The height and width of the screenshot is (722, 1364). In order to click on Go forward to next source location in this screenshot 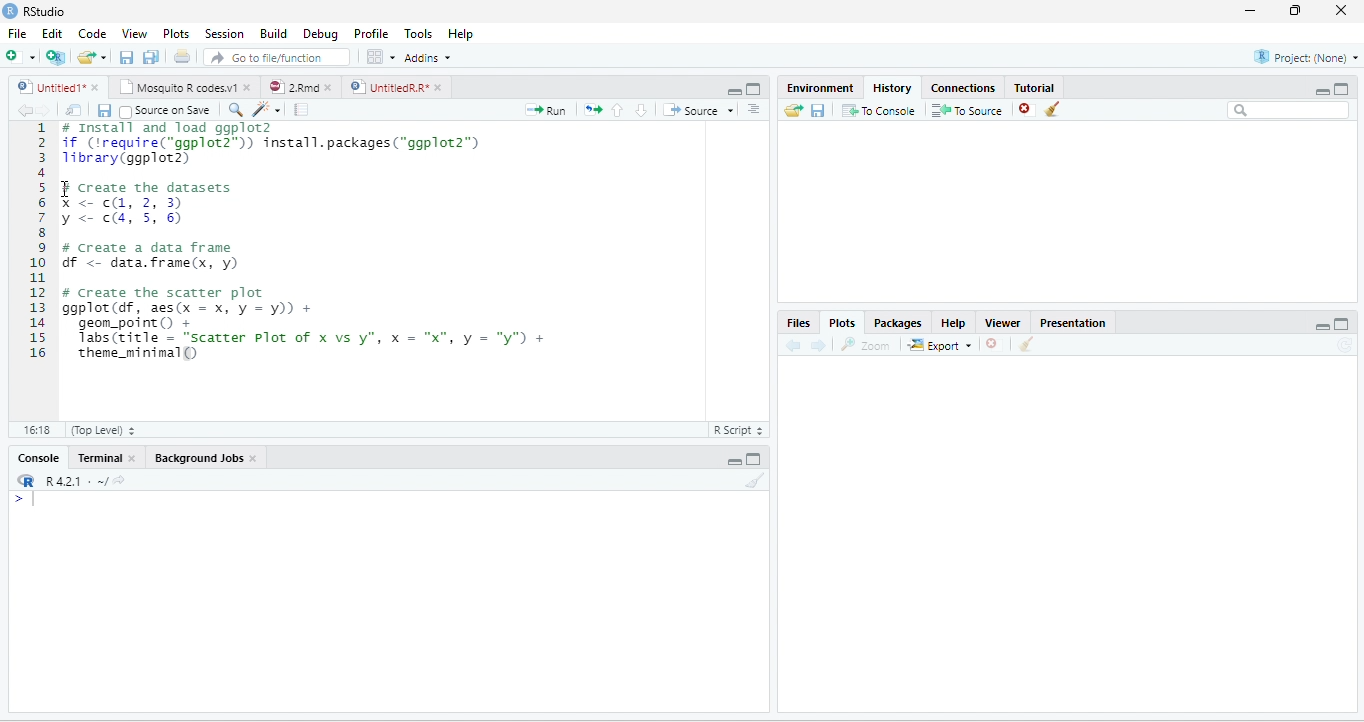, I will do `click(44, 111)`.